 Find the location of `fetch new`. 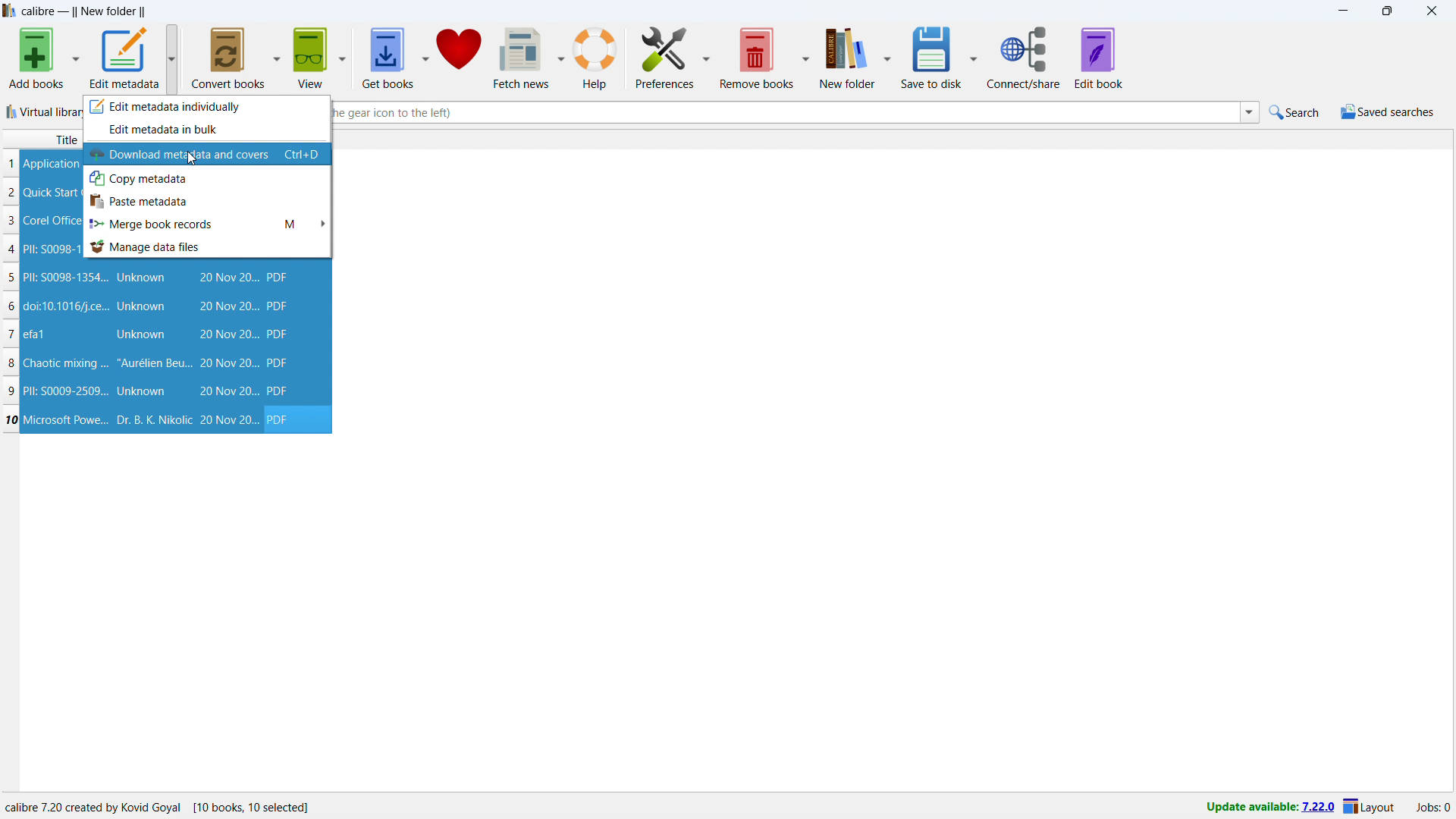

fetch new is located at coordinates (521, 58).